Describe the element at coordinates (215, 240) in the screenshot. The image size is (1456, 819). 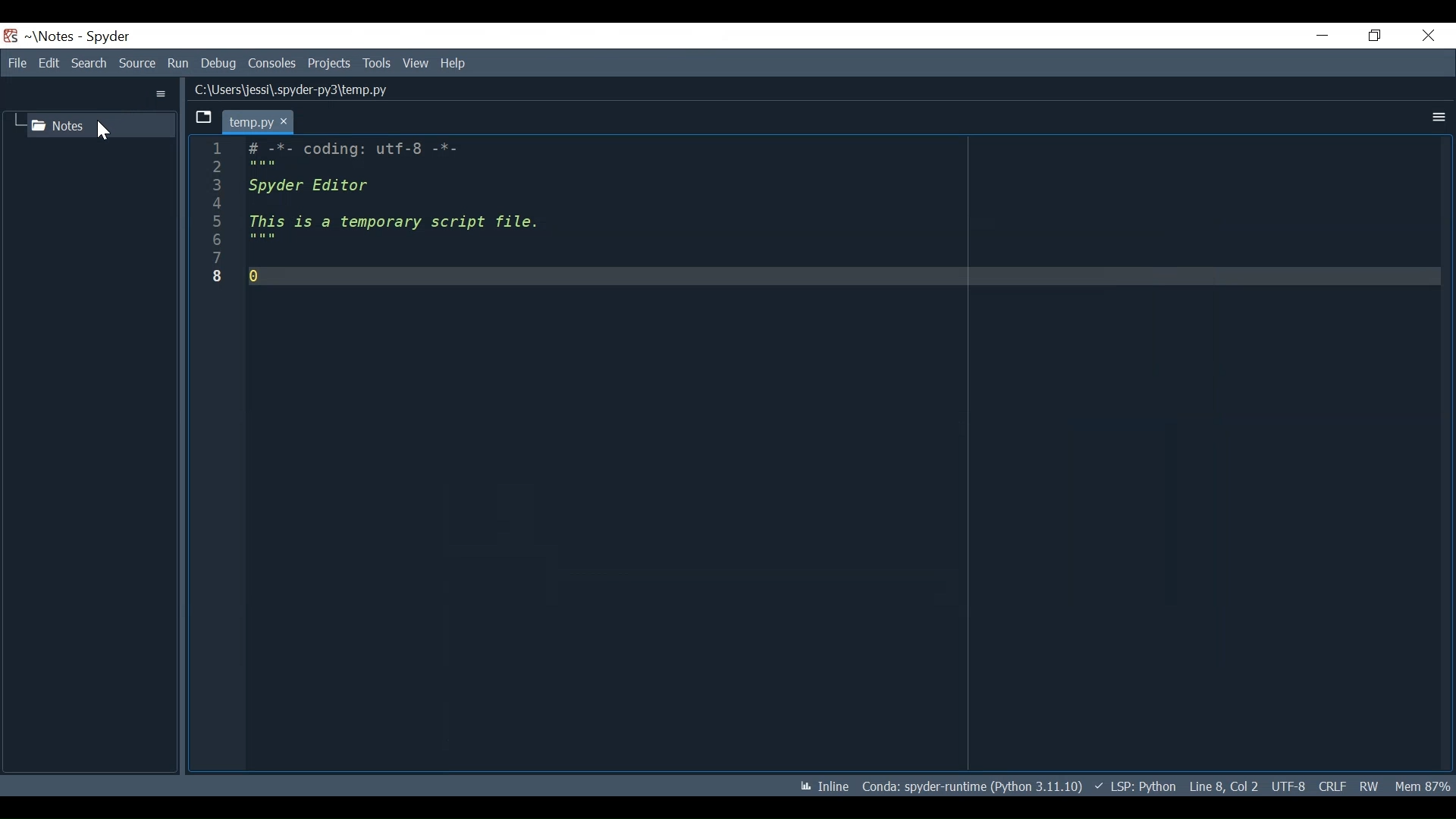
I see `6` at that location.